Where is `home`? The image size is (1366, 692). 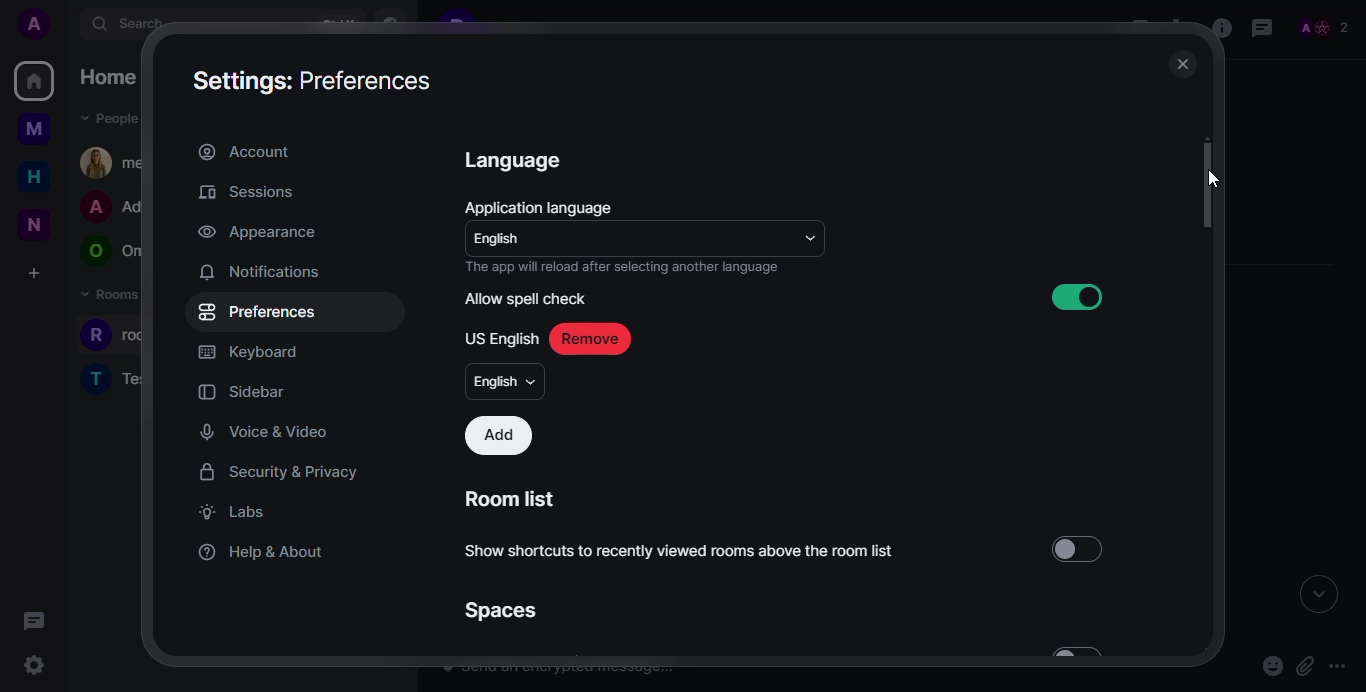 home is located at coordinates (35, 81).